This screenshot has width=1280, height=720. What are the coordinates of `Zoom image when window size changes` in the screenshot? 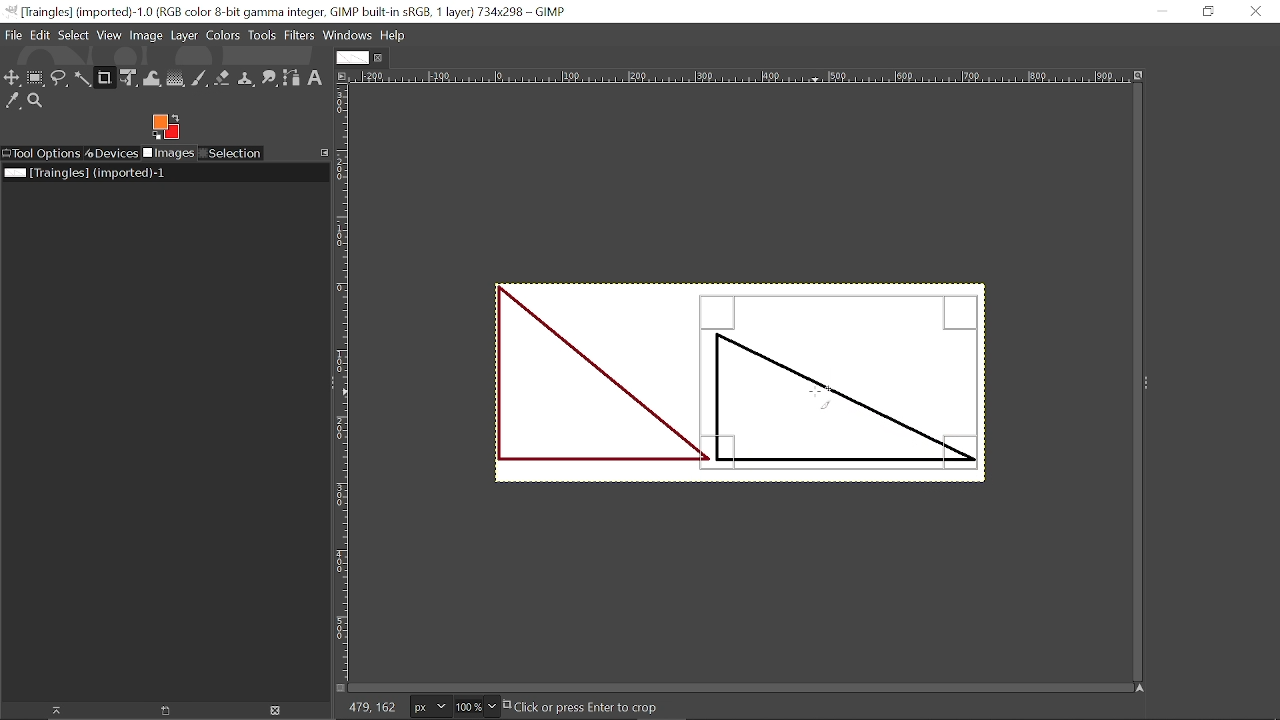 It's located at (1138, 74).